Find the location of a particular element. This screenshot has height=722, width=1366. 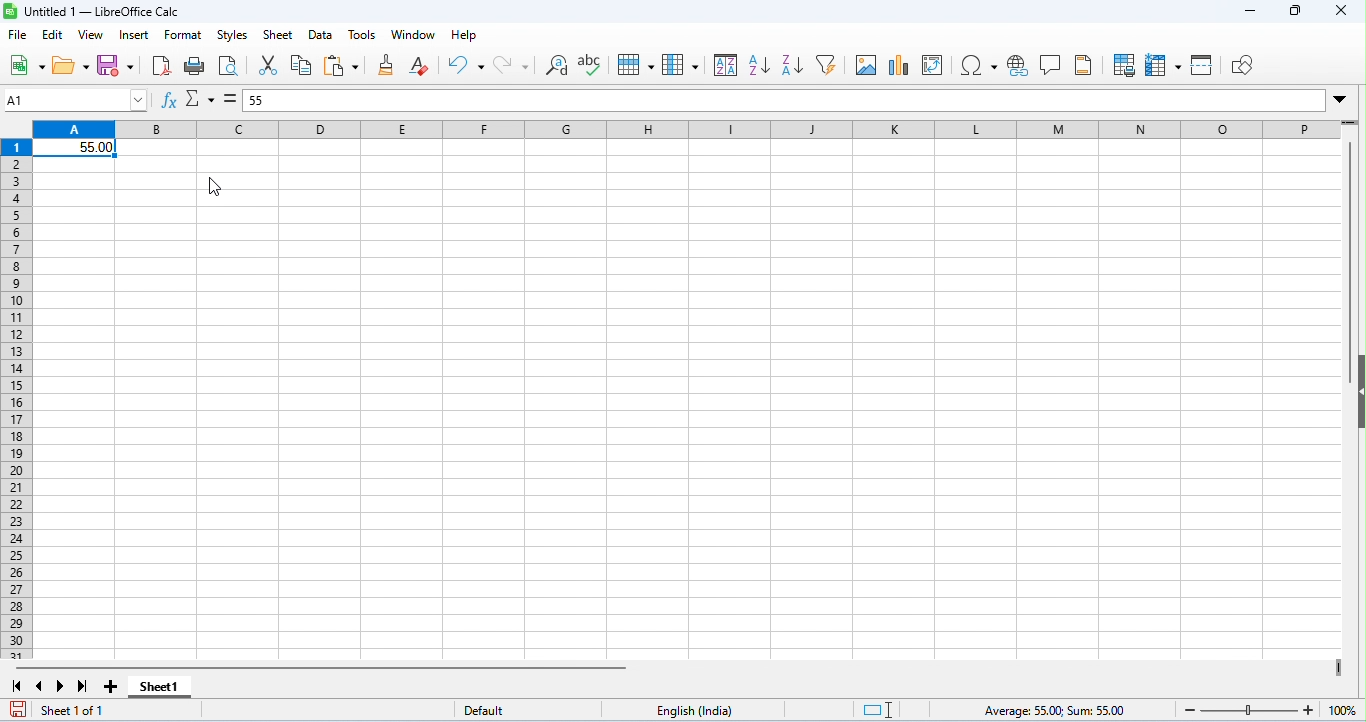

format is located at coordinates (184, 35).